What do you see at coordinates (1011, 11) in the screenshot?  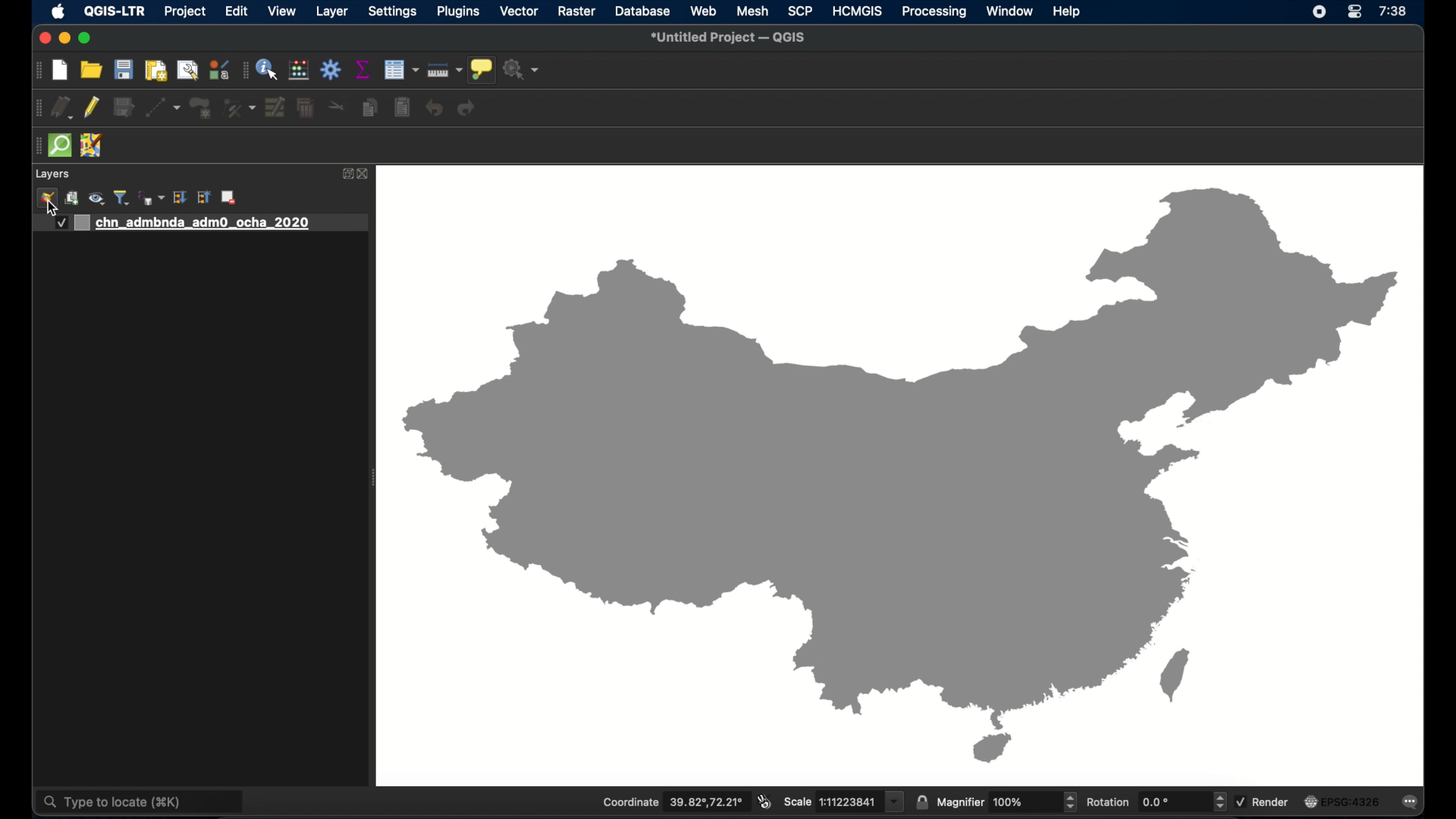 I see `window` at bounding box center [1011, 11].